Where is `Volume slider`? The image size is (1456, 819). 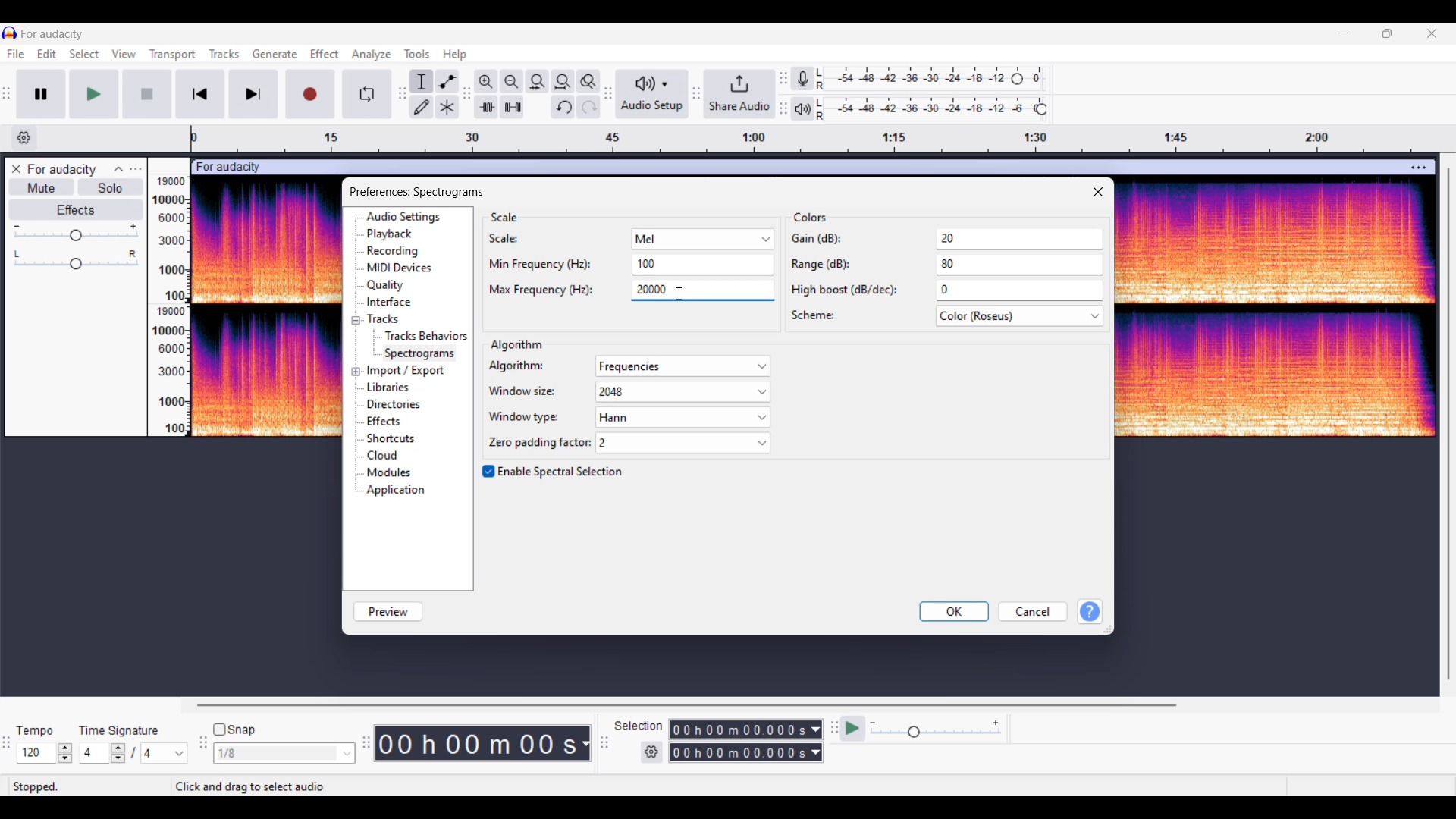
Volume slider is located at coordinates (75, 233).